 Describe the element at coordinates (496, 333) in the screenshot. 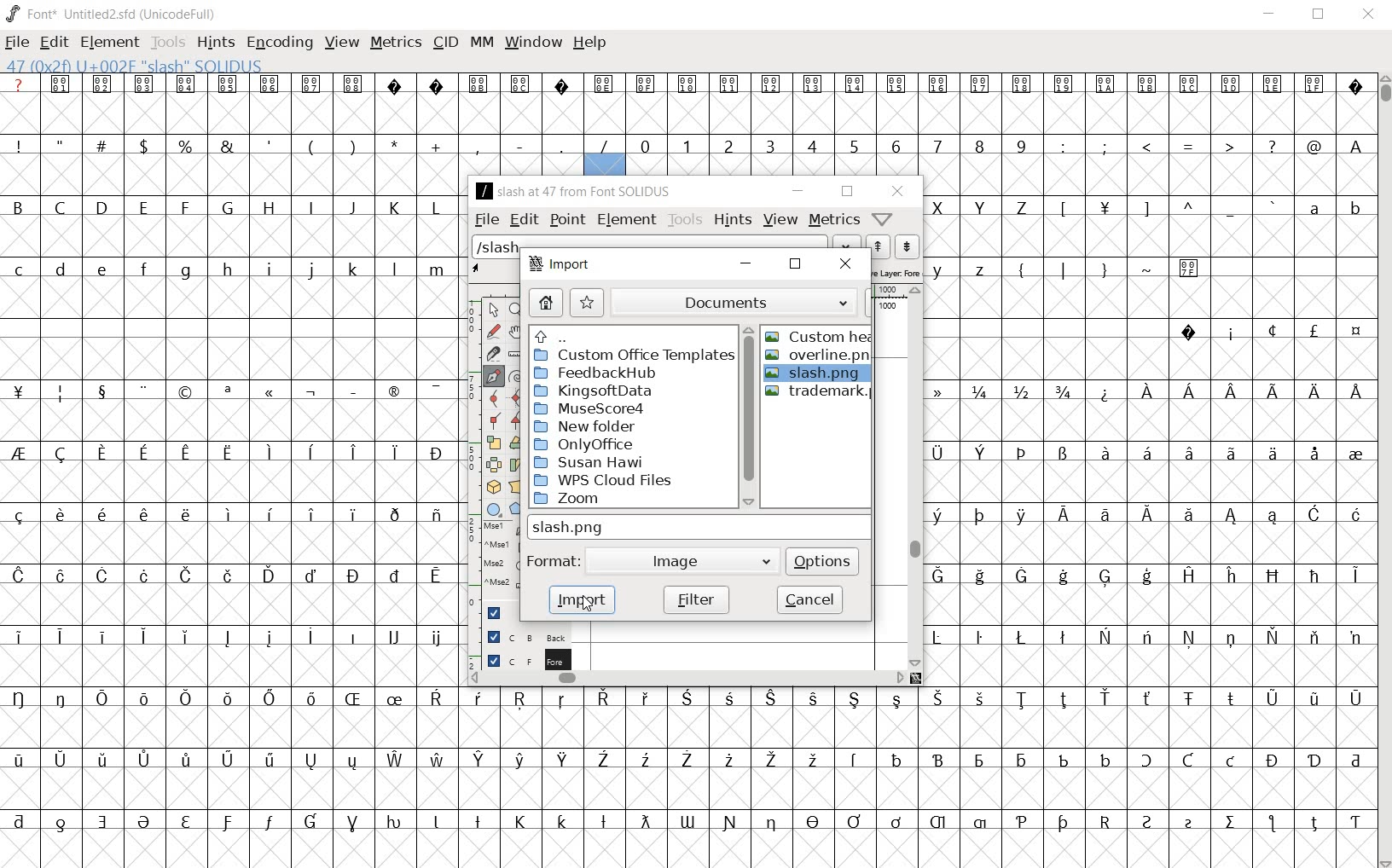

I see `draw a freehand curve` at that location.